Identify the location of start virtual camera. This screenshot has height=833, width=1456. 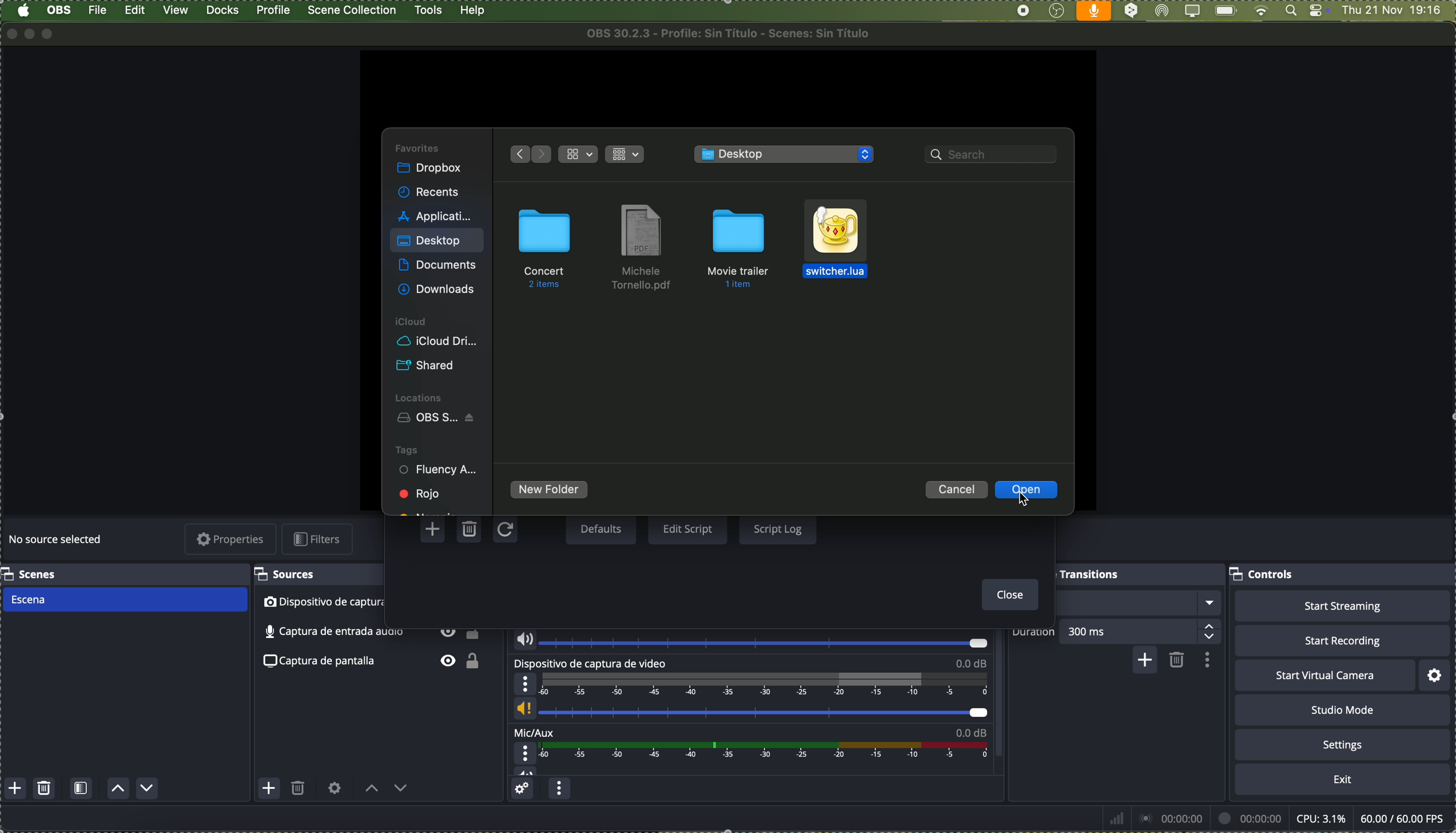
(1324, 676).